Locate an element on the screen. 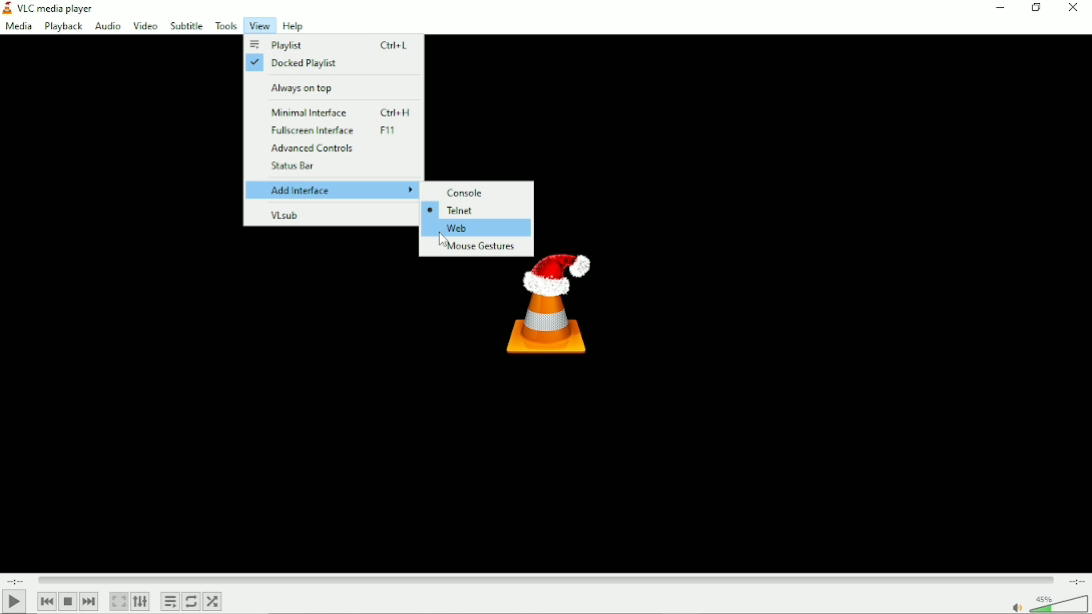 This screenshot has width=1092, height=614. Minimal interface is located at coordinates (340, 113).